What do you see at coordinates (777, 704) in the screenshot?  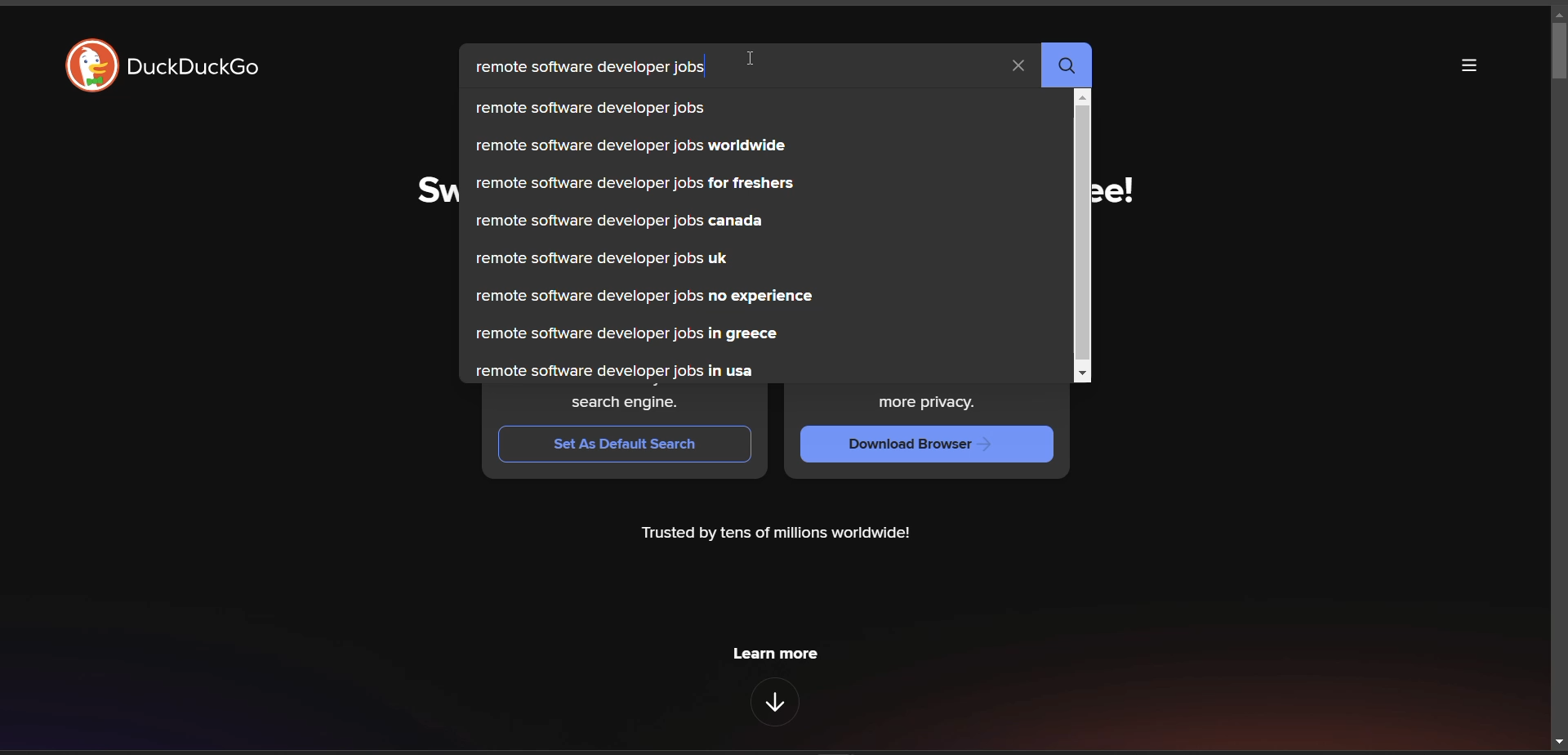 I see `features` at bounding box center [777, 704].